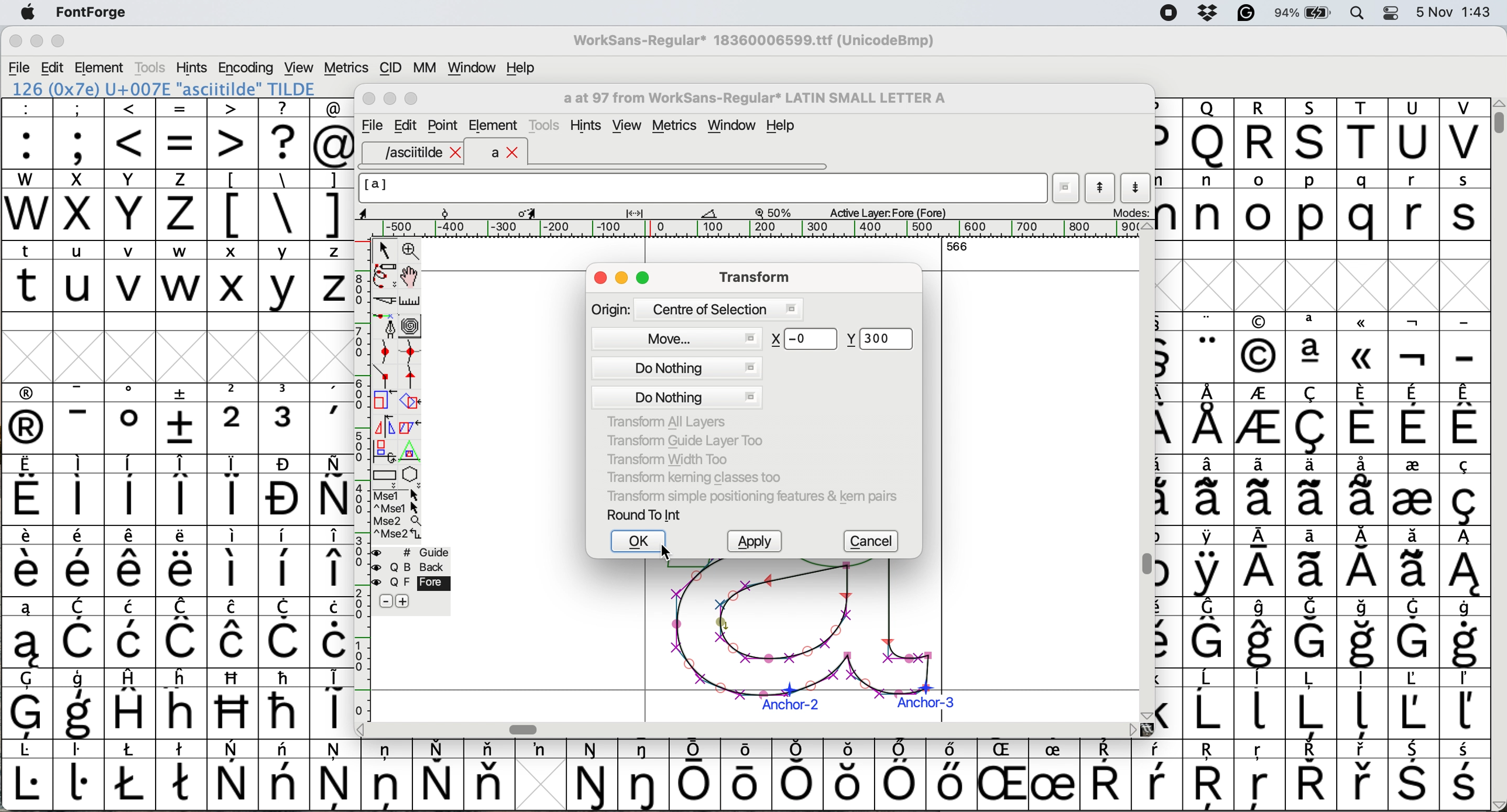 This screenshot has height=812, width=1507. What do you see at coordinates (1464, 562) in the screenshot?
I see `symbol` at bounding box center [1464, 562].